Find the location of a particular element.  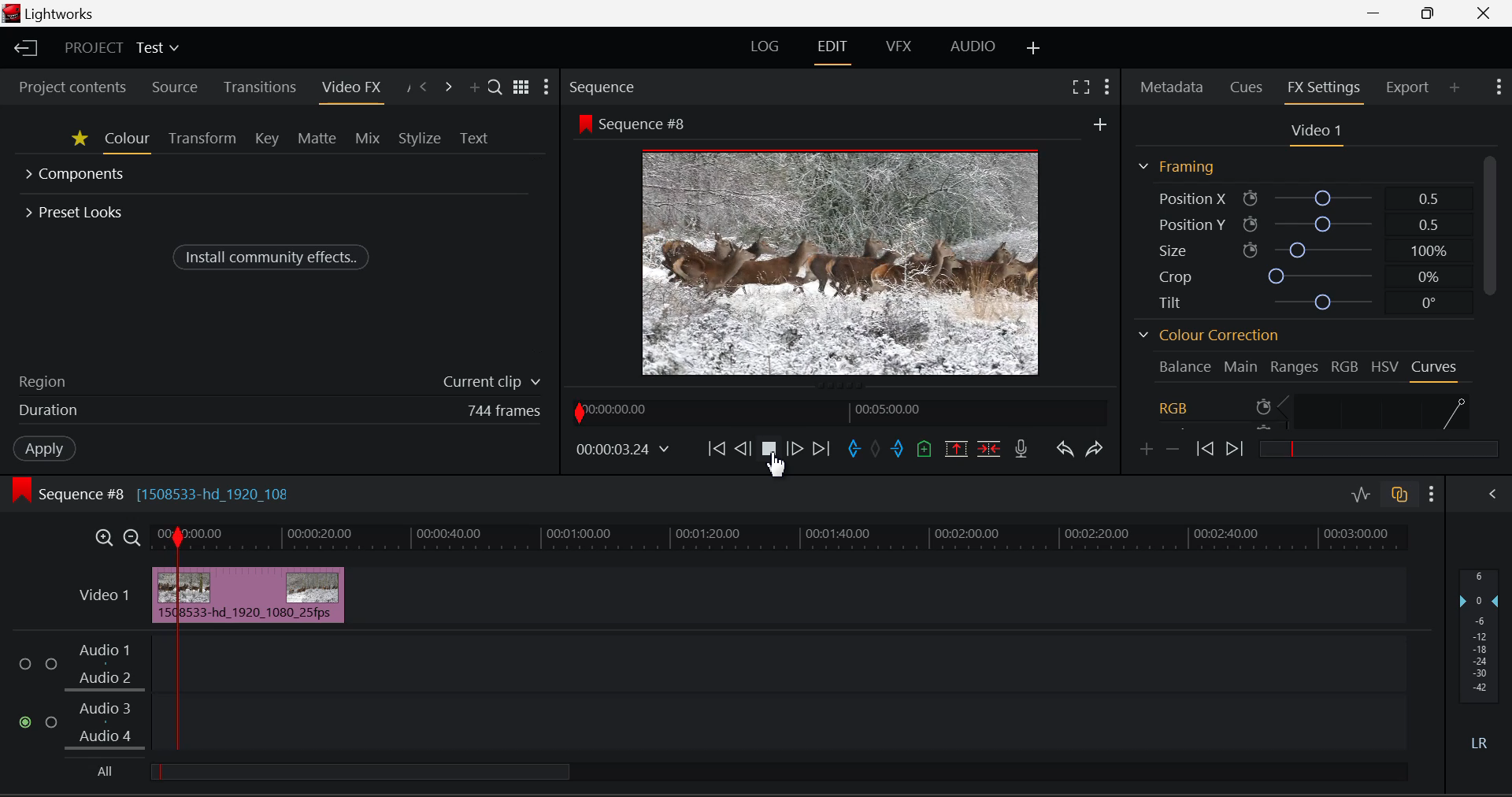

Colour Correction is located at coordinates (1206, 335).